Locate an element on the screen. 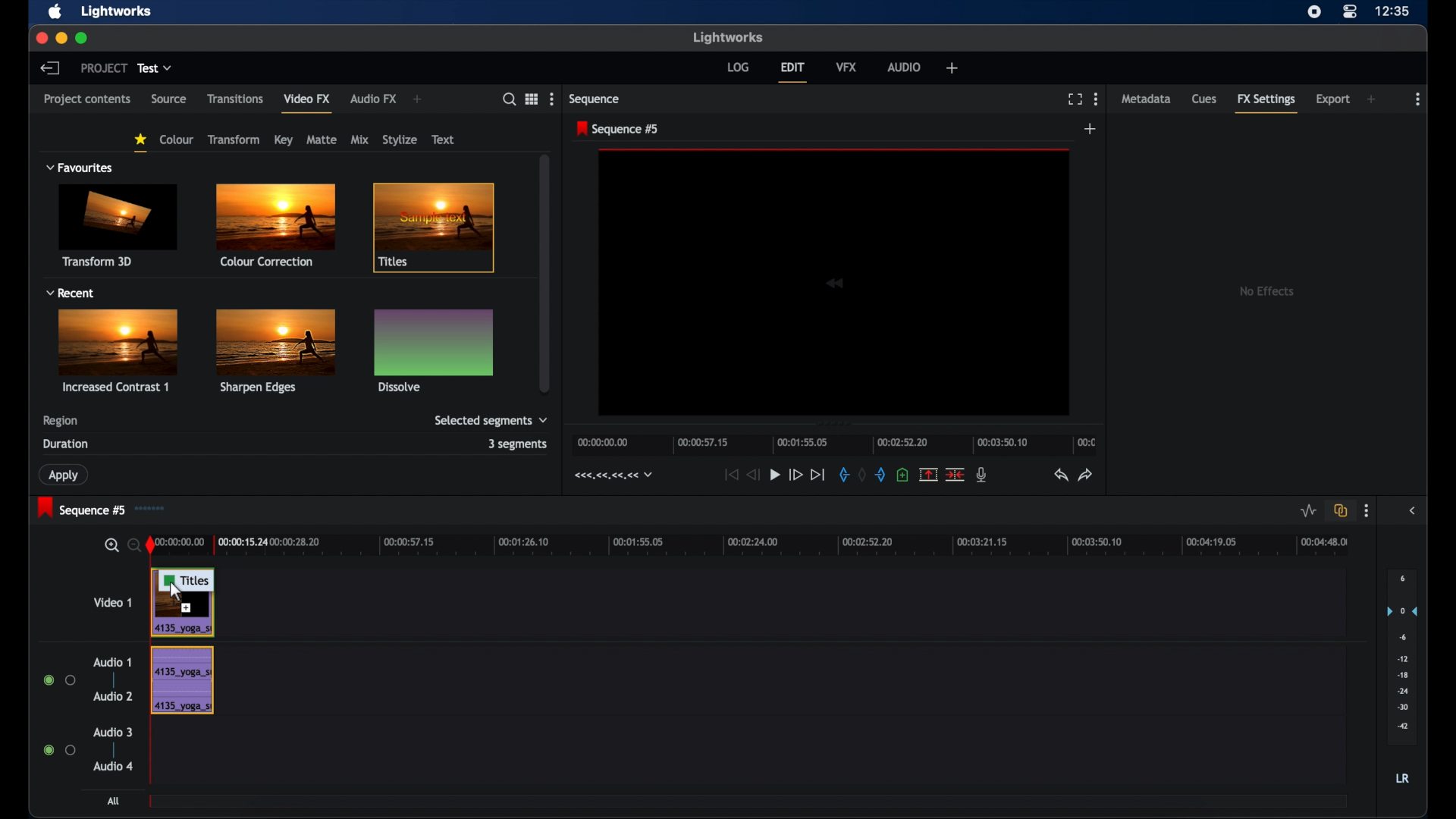  region is located at coordinates (61, 421).